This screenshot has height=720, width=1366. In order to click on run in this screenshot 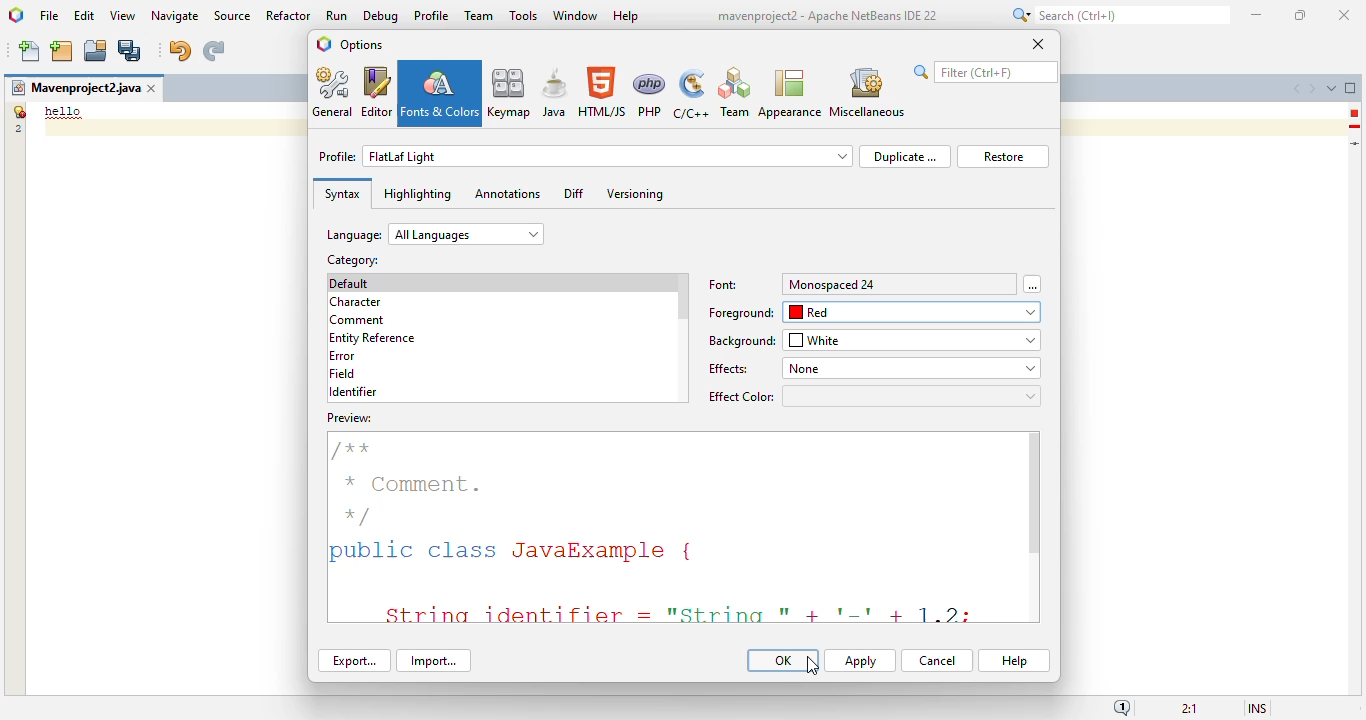, I will do `click(338, 15)`.